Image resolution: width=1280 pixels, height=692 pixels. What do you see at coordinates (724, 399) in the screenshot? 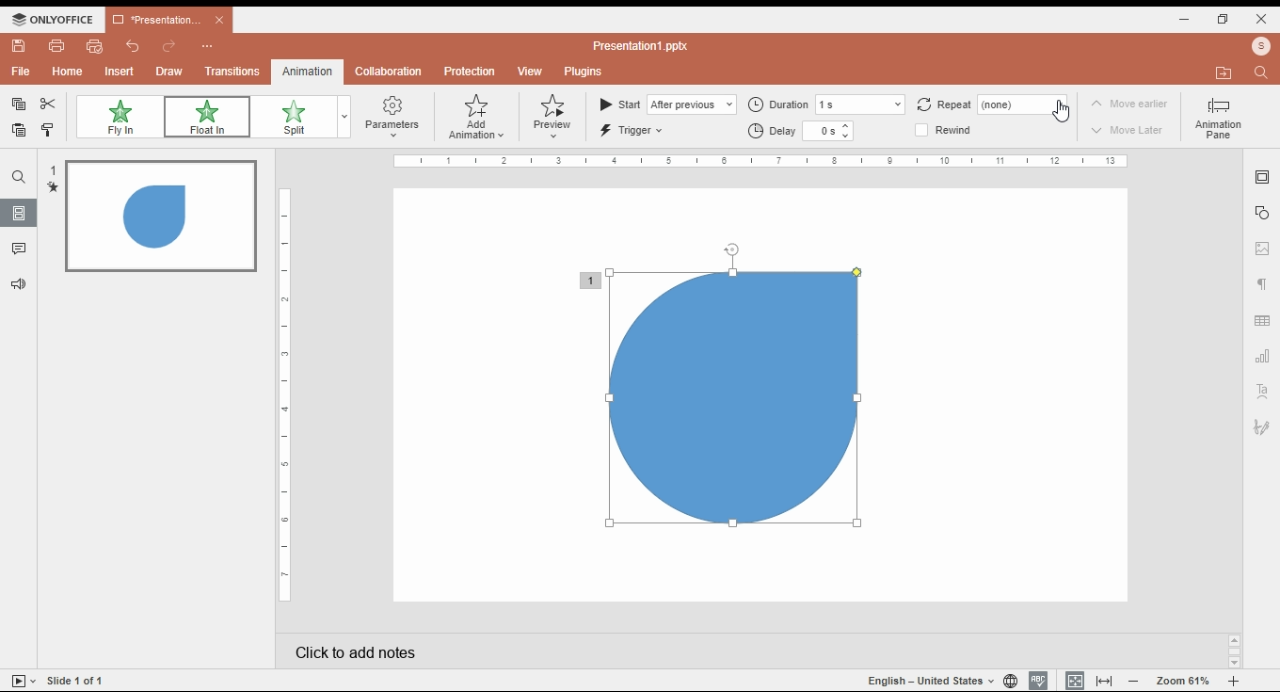
I see `shape` at bounding box center [724, 399].